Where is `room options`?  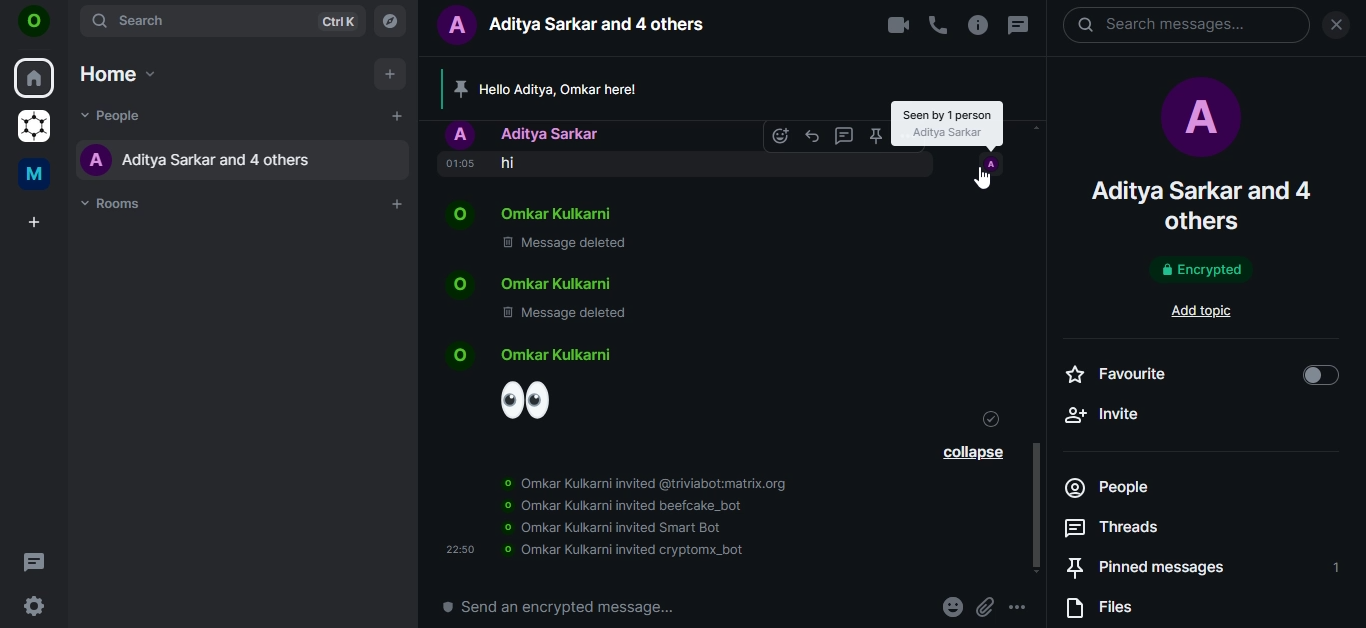
room options is located at coordinates (980, 26).